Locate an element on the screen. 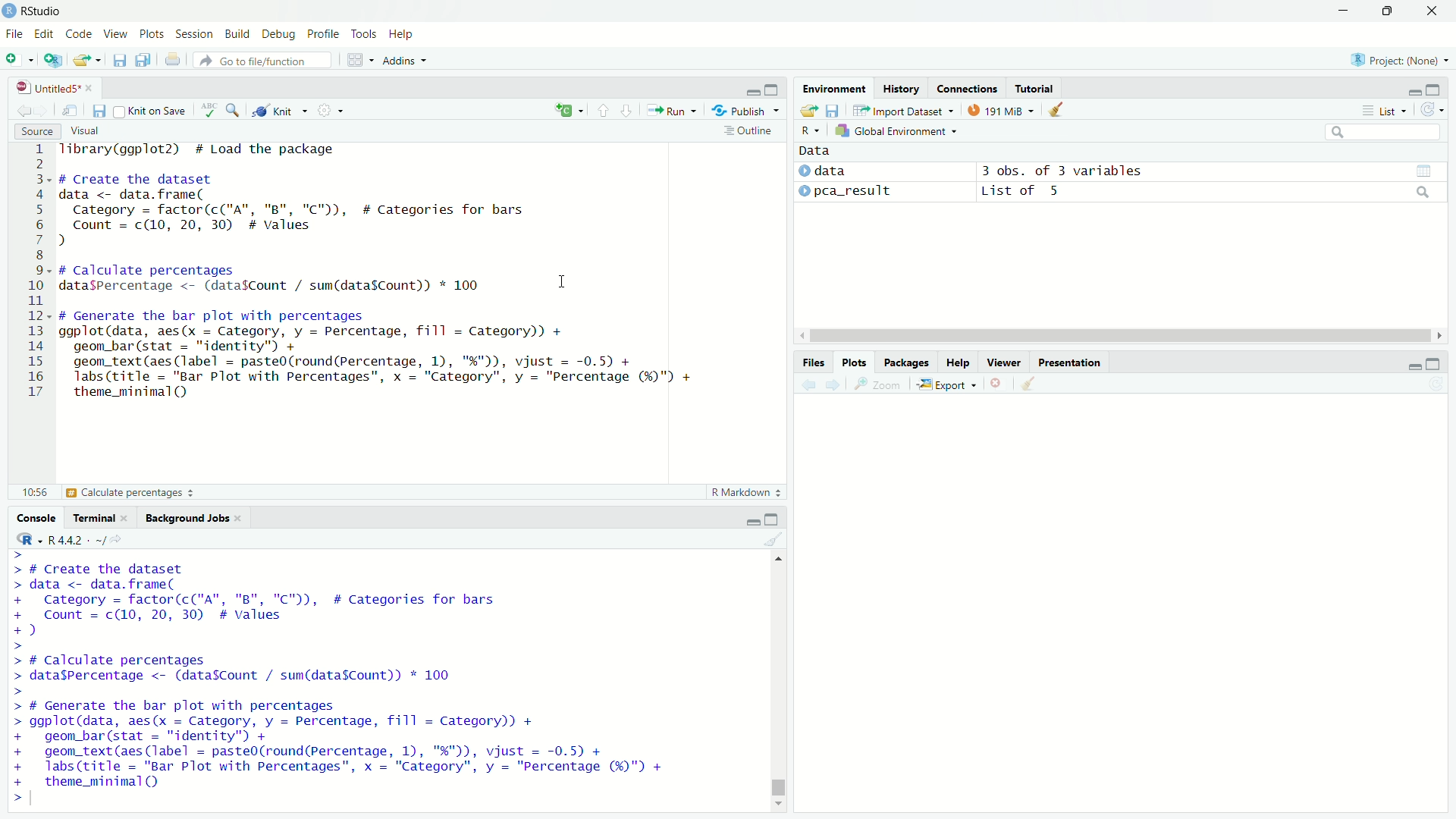 Image resolution: width=1456 pixels, height=819 pixels. maximize is located at coordinates (1433, 362).